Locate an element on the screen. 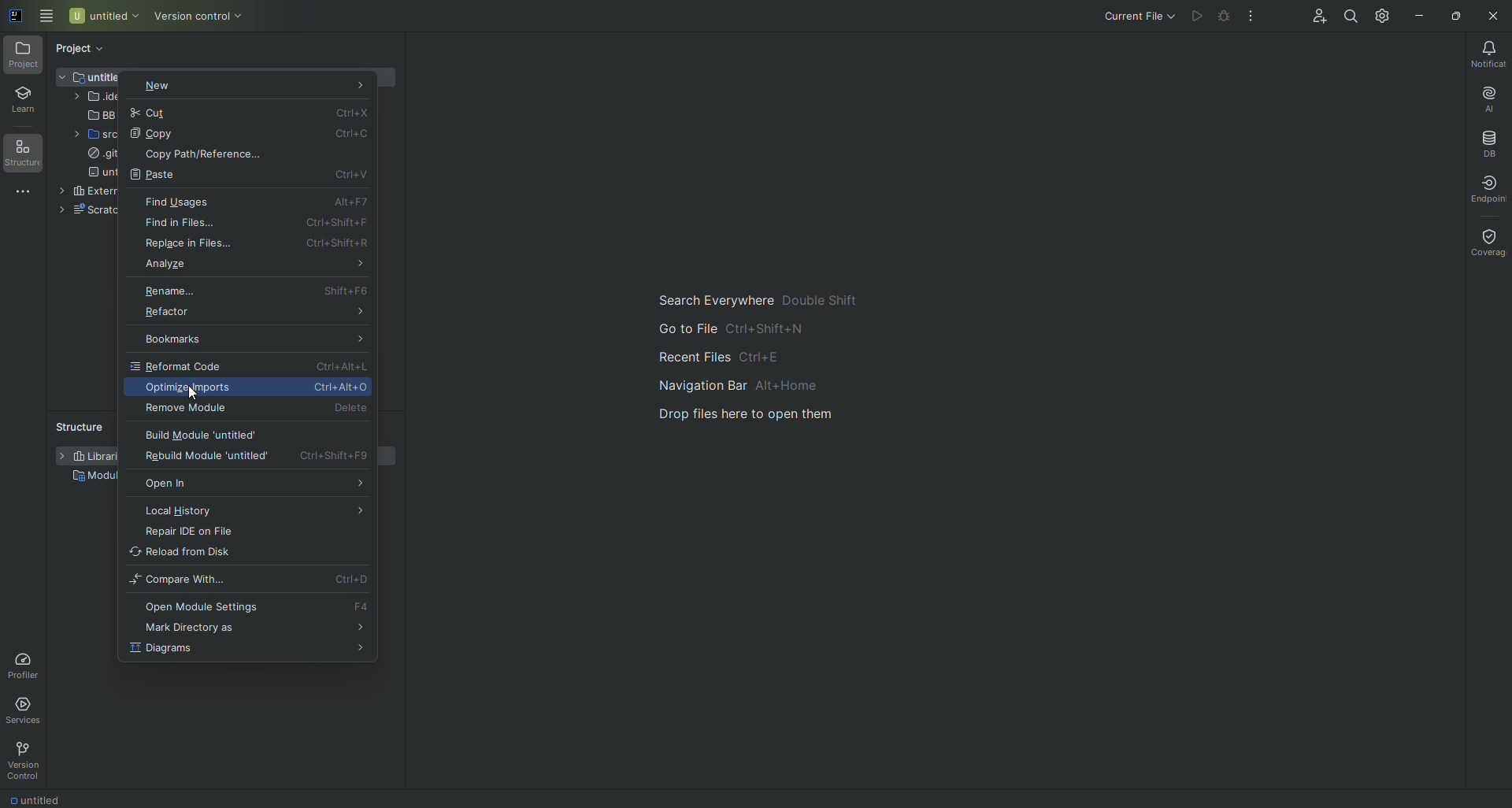 This screenshot has width=1512, height=808. Repair IDE on File is located at coordinates (250, 533).